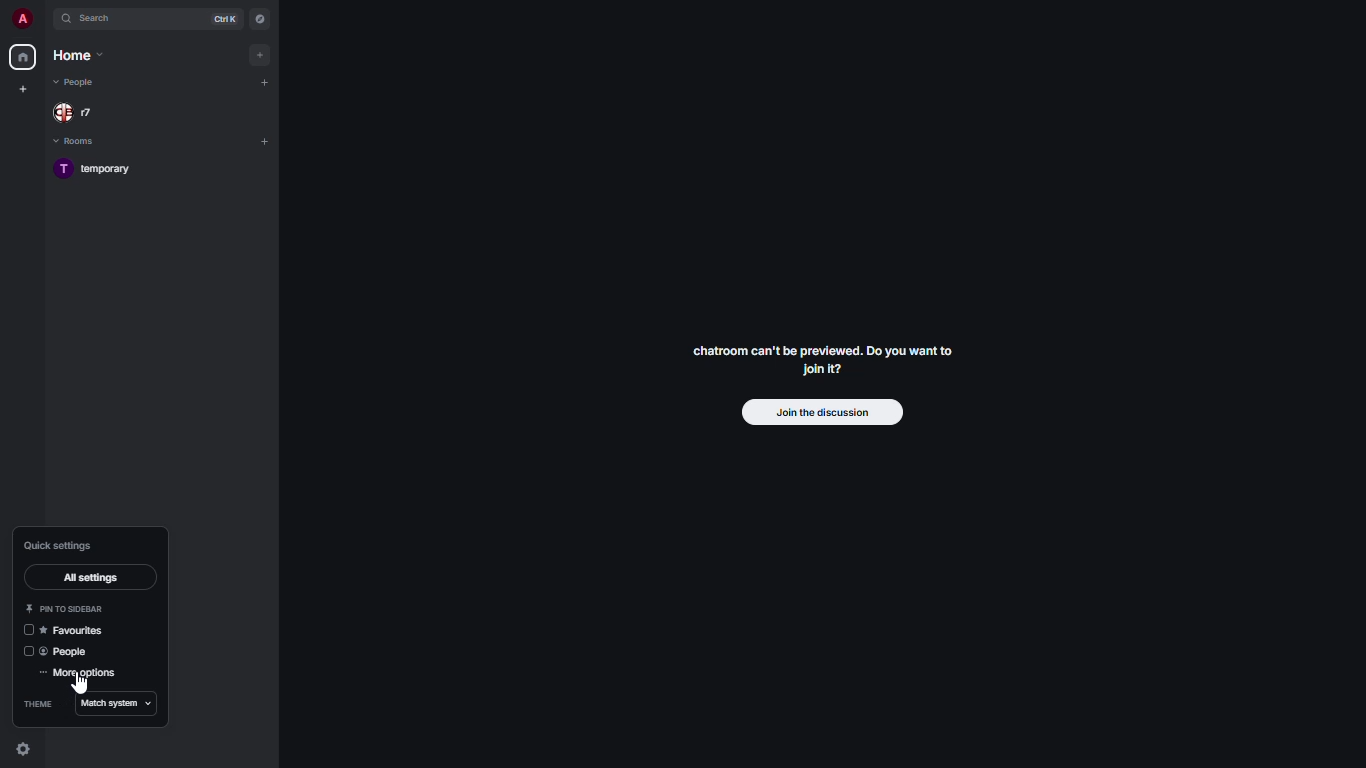 The width and height of the screenshot is (1366, 768). What do you see at coordinates (27, 87) in the screenshot?
I see `create new space` at bounding box center [27, 87].